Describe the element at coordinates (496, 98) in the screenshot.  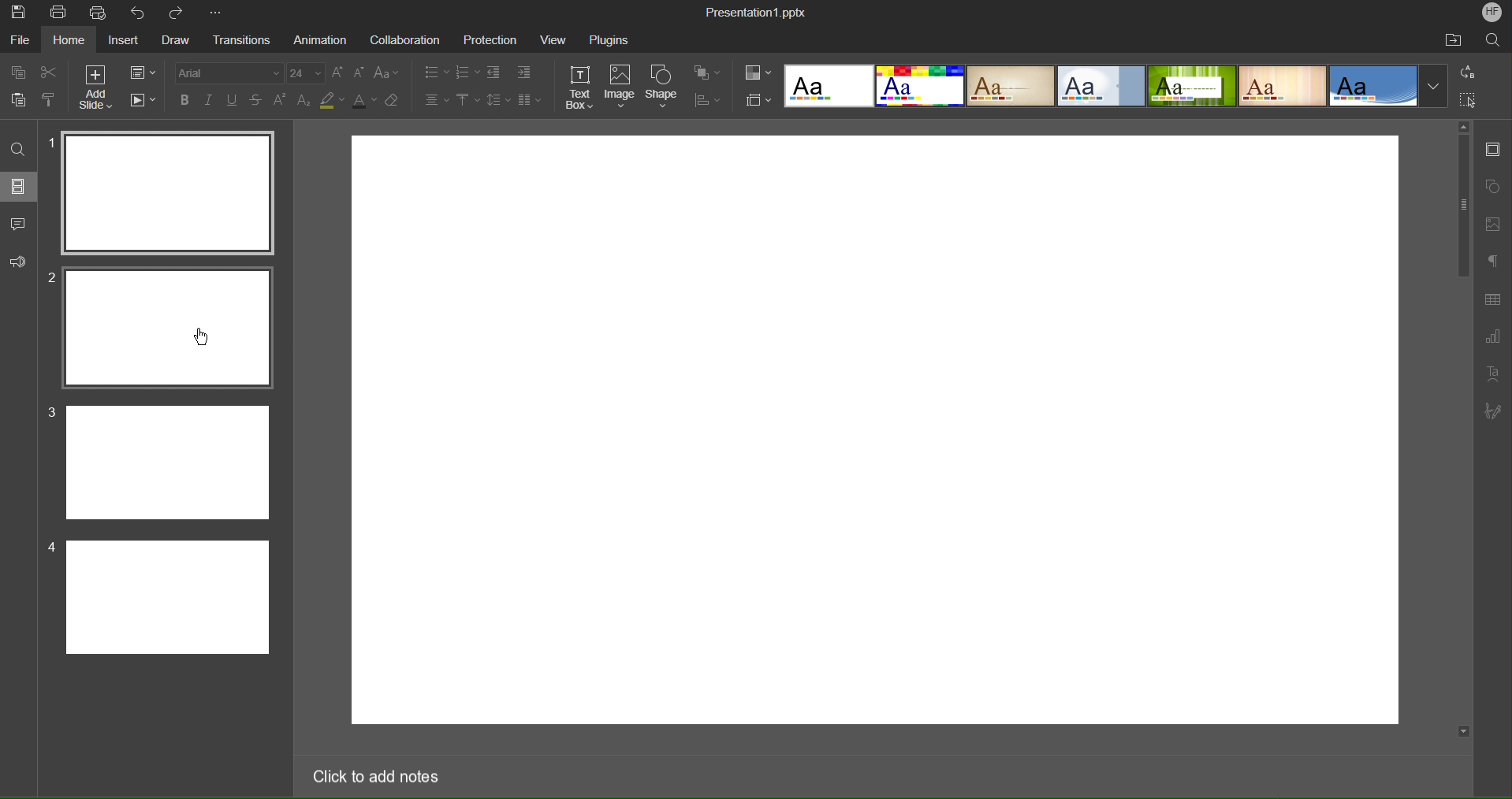
I see `Line Spacing` at that location.